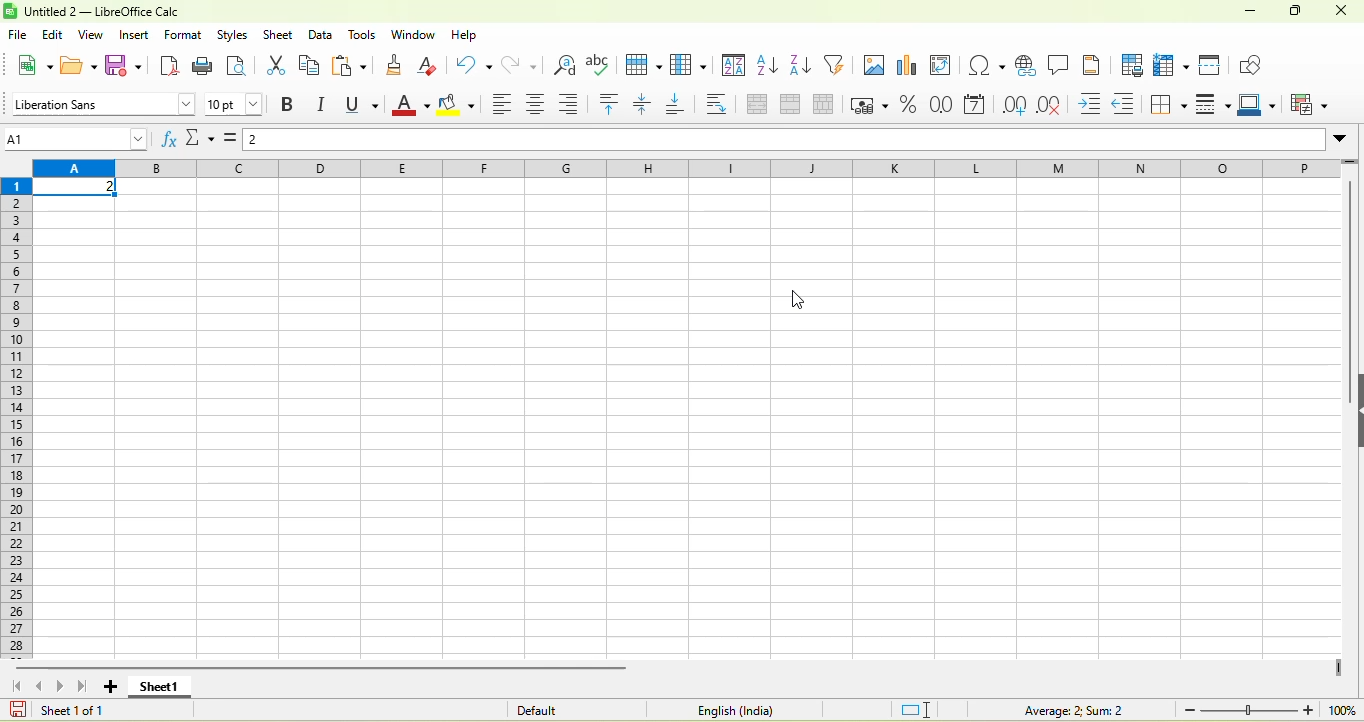 The width and height of the screenshot is (1364, 722). Describe the element at coordinates (685, 168) in the screenshot. I see `column headings` at that location.